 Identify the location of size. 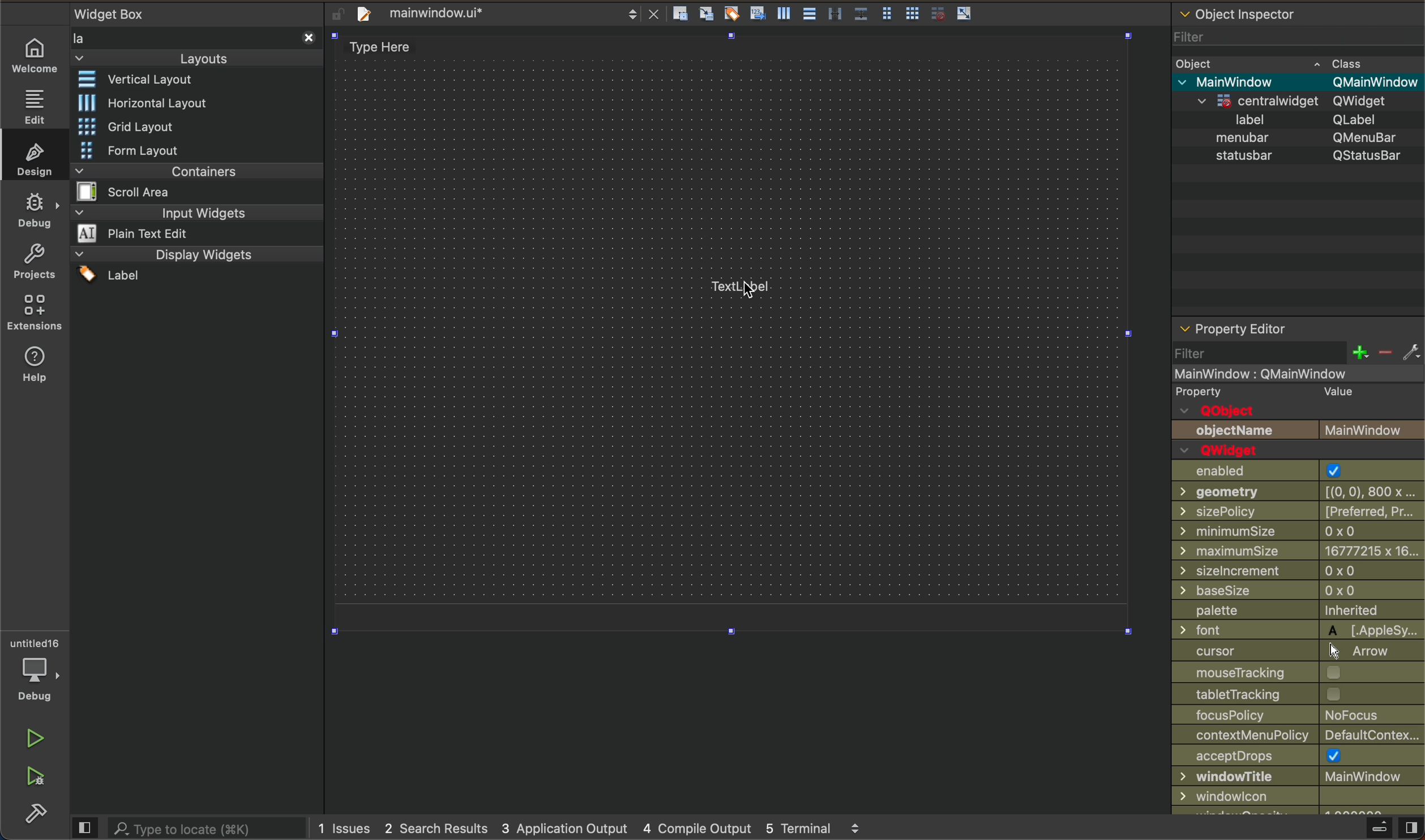
(1298, 572).